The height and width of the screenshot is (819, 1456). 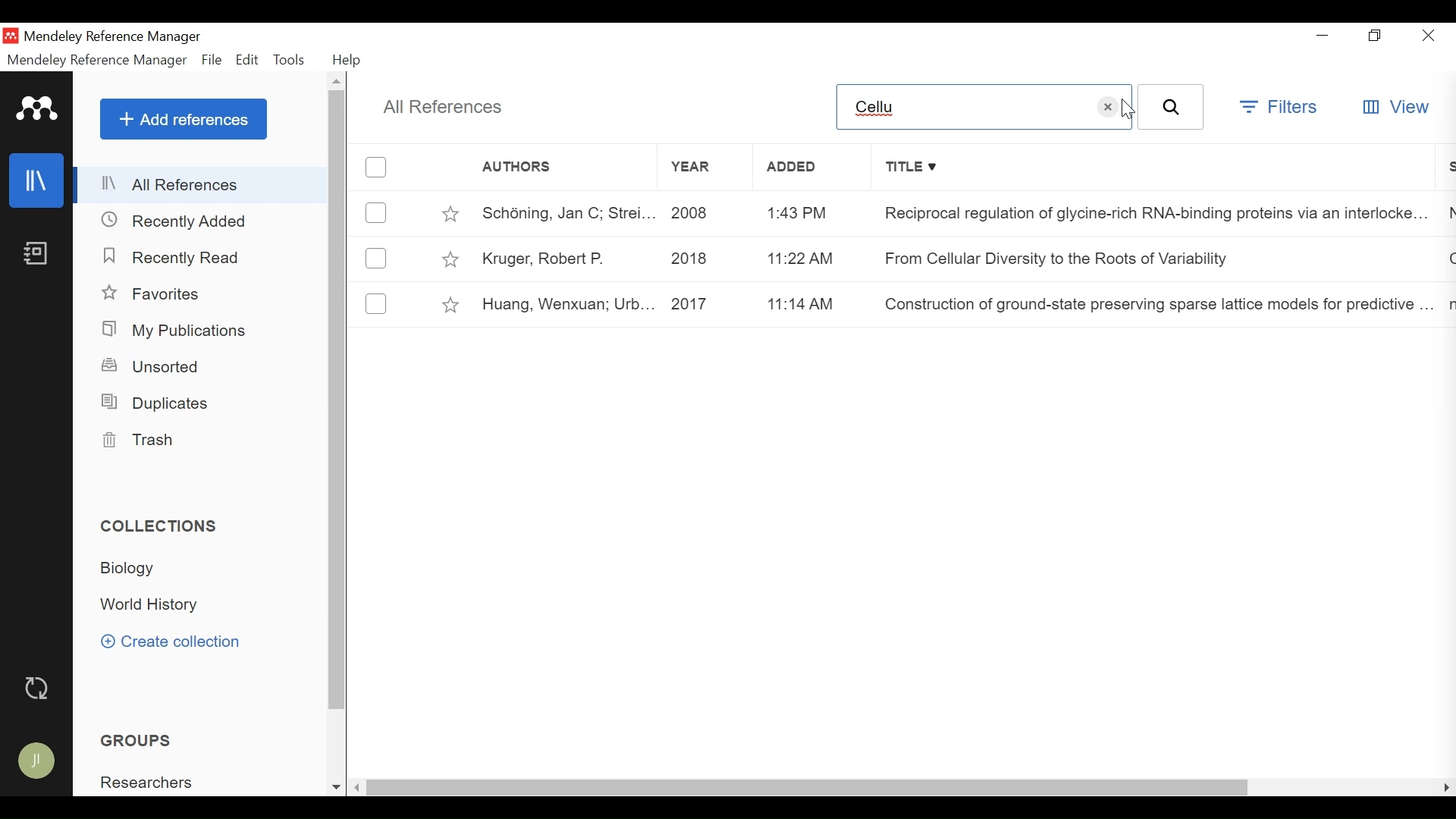 I want to click on Year, so click(x=704, y=167).